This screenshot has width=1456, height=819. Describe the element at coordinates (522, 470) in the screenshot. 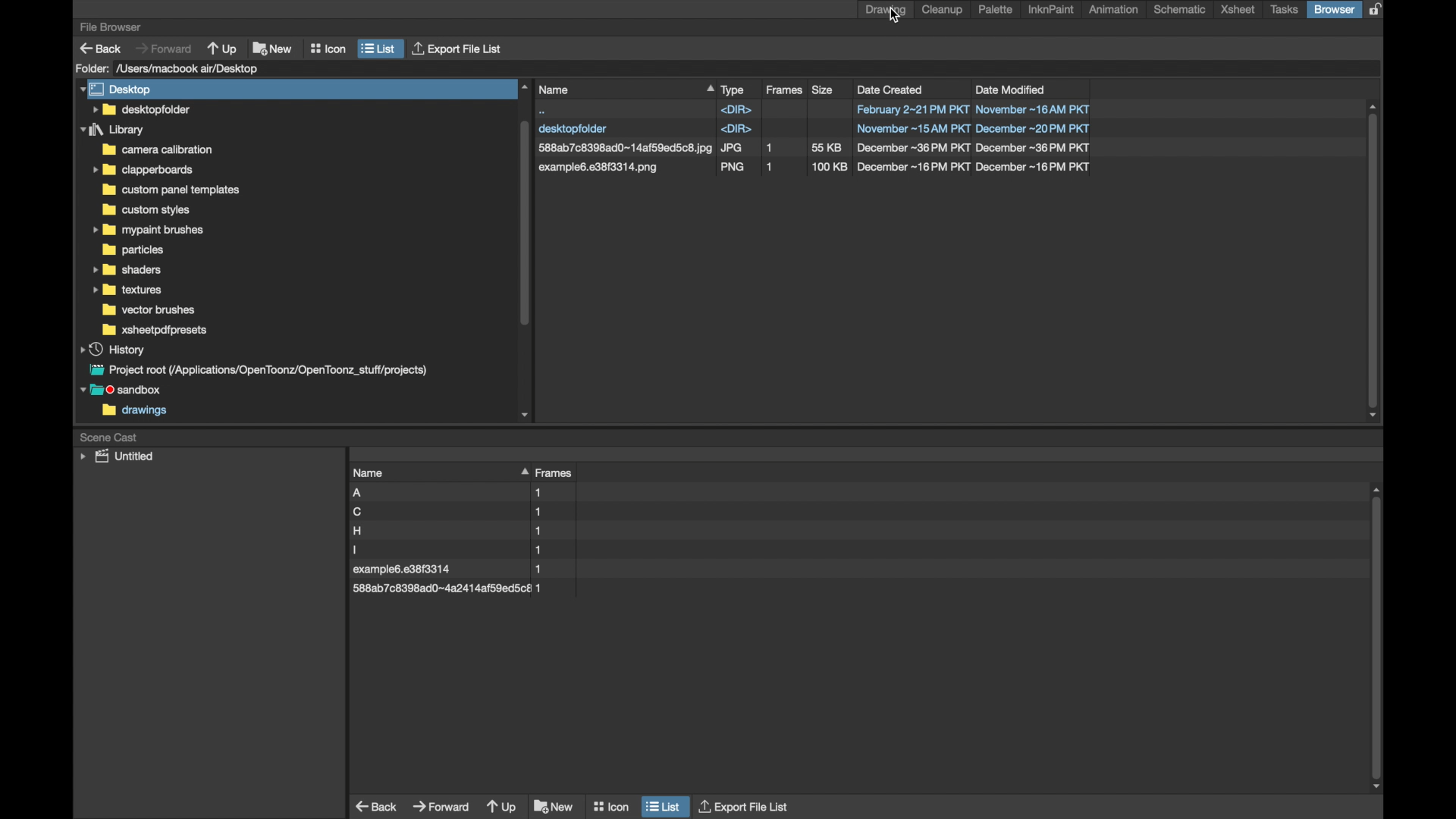

I see `drag handle` at that location.